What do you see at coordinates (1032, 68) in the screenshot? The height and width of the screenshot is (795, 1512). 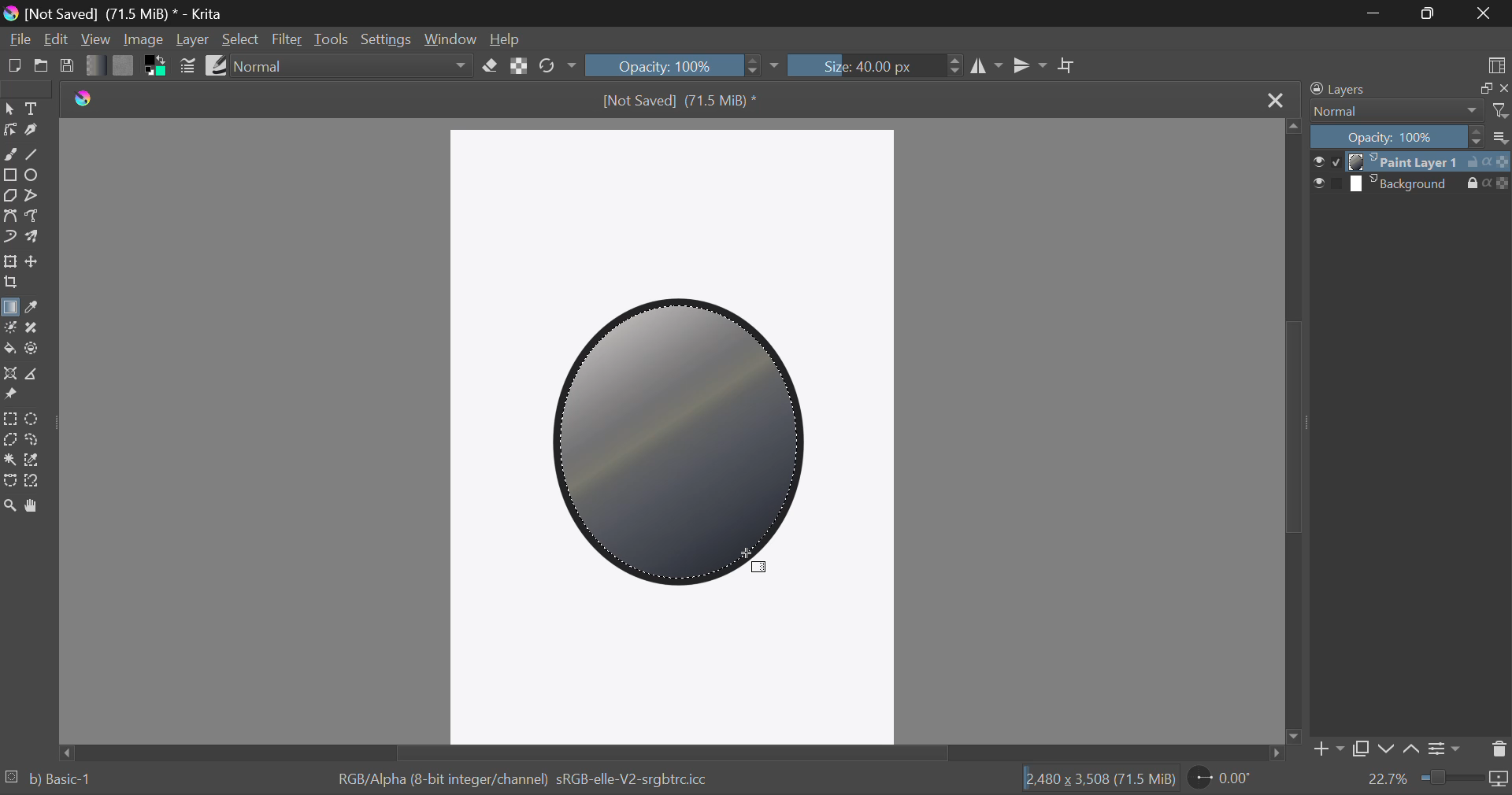 I see `Horizontal Mirror Flip` at bounding box center [1032, 68].